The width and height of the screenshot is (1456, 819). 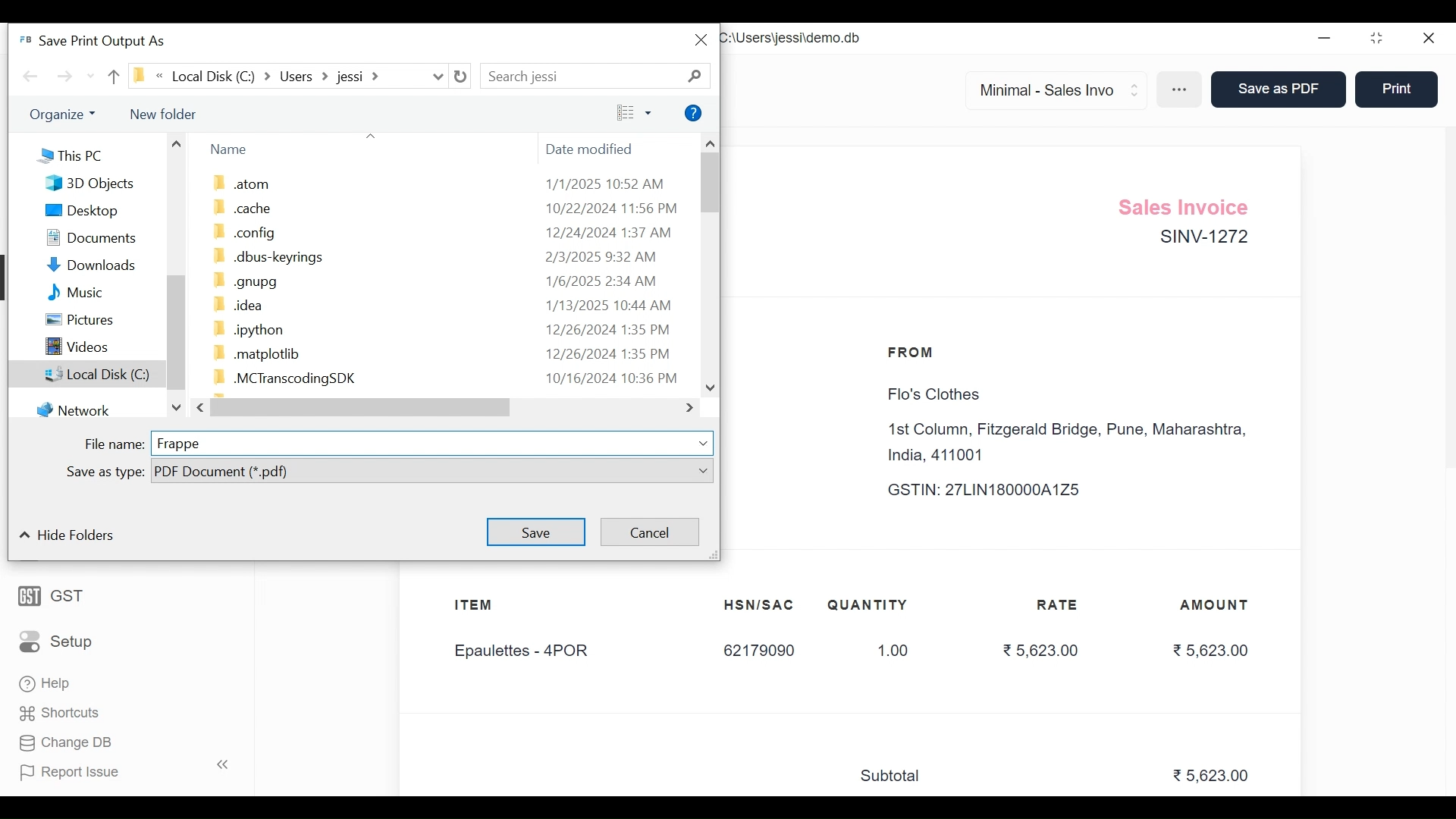 I want to click on Report Issue, so click(x=120, y=771).